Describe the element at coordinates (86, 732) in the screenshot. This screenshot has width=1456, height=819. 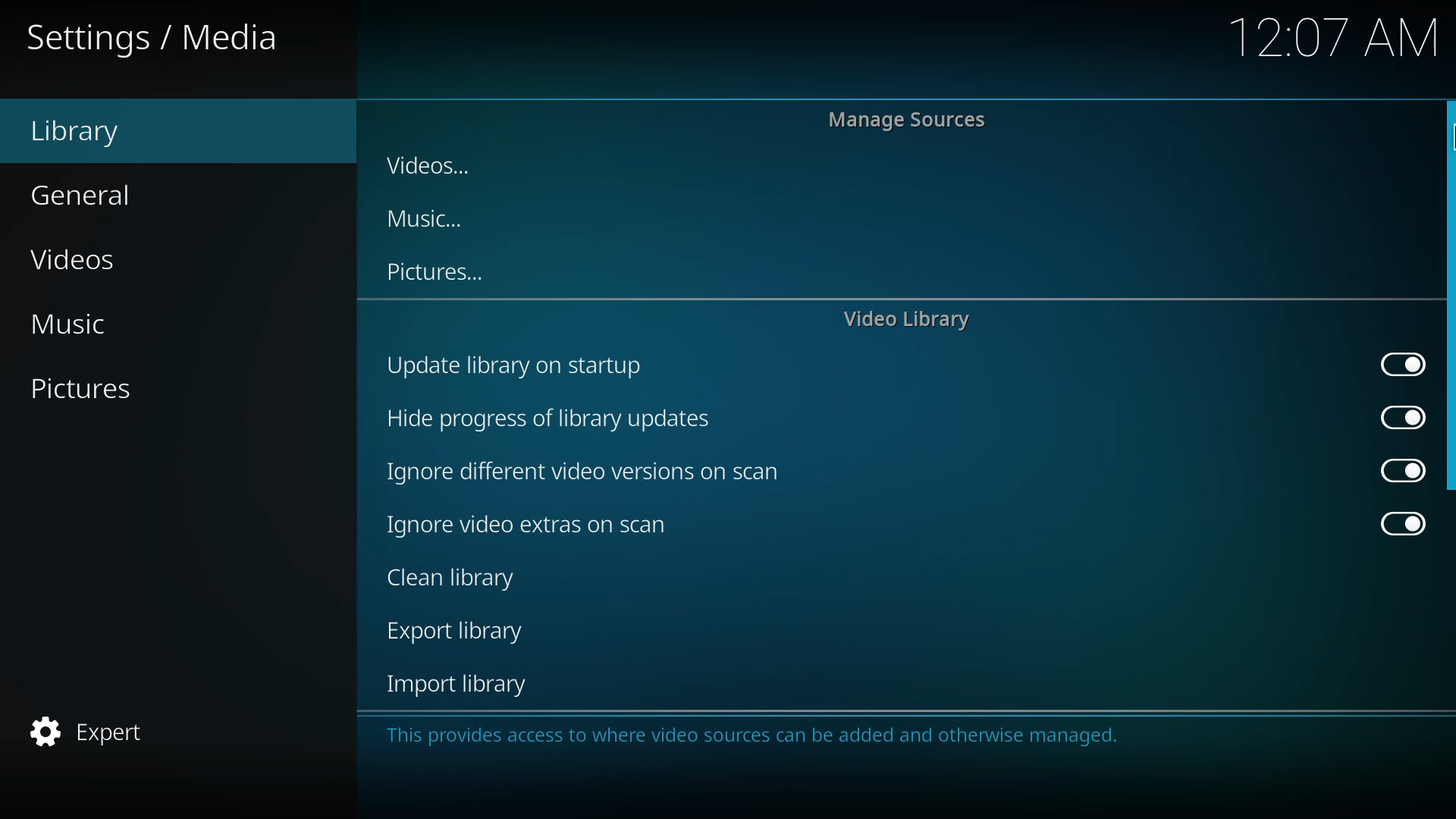
I see `expert` at that location.